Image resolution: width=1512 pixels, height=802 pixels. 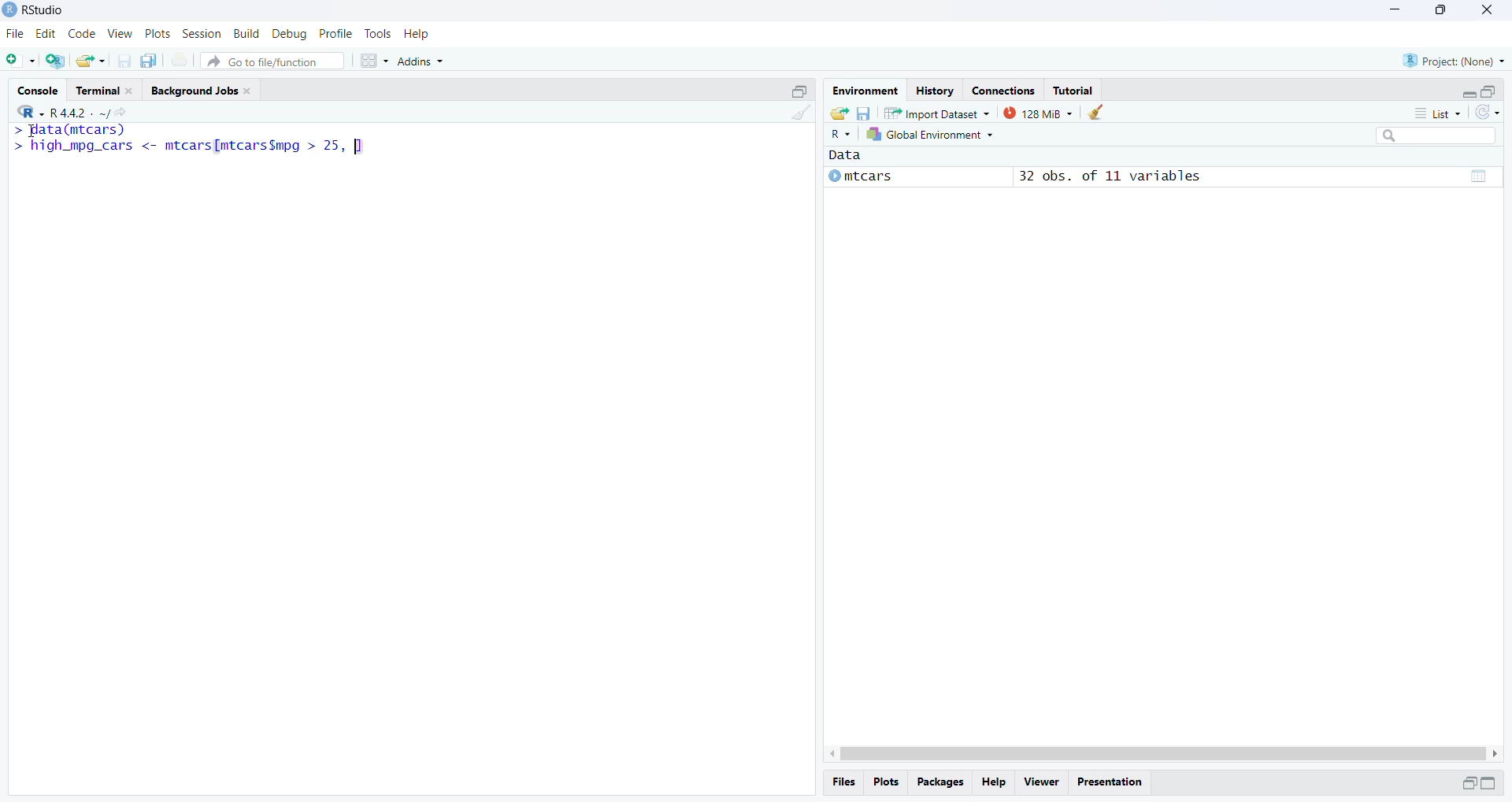 I want to click on 125 MiB, so click(x=1036, y=113).